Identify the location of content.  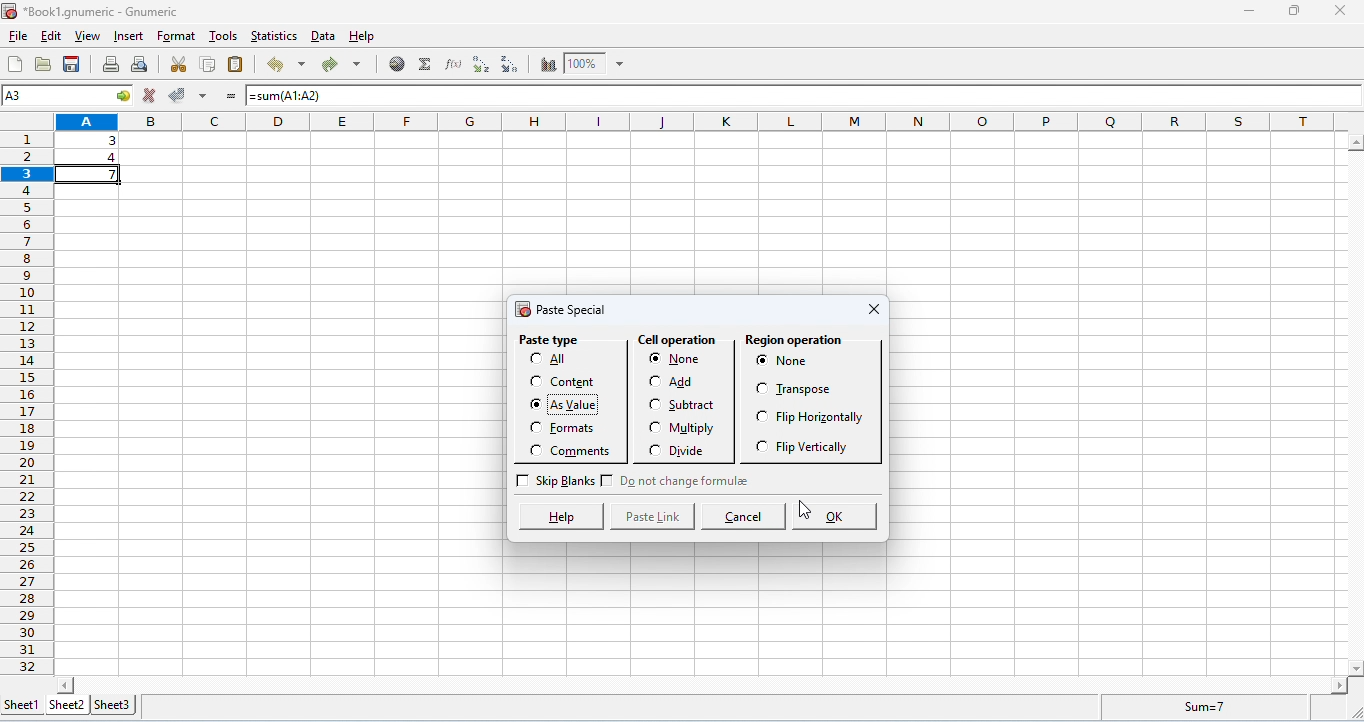
(577, 382).